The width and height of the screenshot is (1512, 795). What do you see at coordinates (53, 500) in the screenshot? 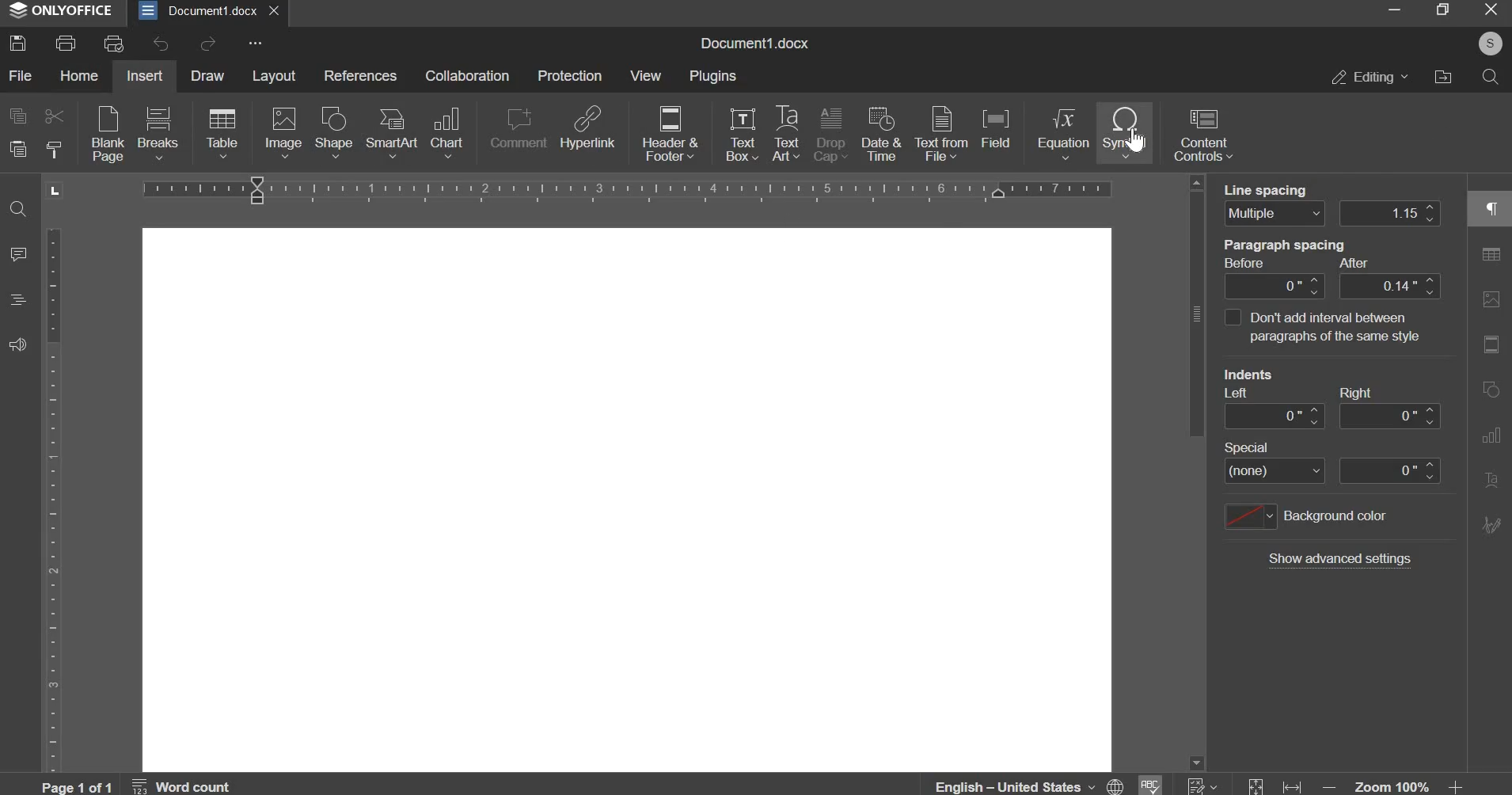
I see `vertical scale` at bounding box center [53, 500].